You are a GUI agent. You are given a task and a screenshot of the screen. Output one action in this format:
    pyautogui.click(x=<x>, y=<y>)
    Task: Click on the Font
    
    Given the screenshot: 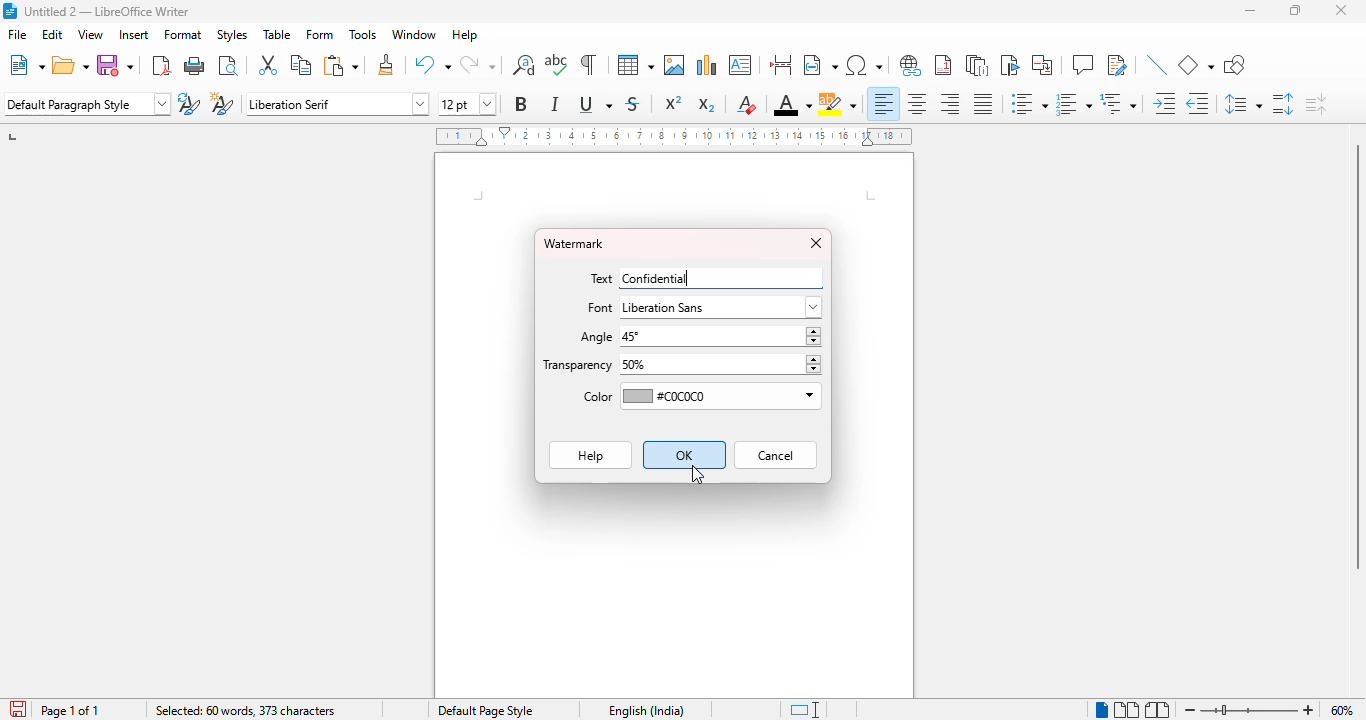 What is the action you would take?
    pyautogui.click(x=600, y=311)
    